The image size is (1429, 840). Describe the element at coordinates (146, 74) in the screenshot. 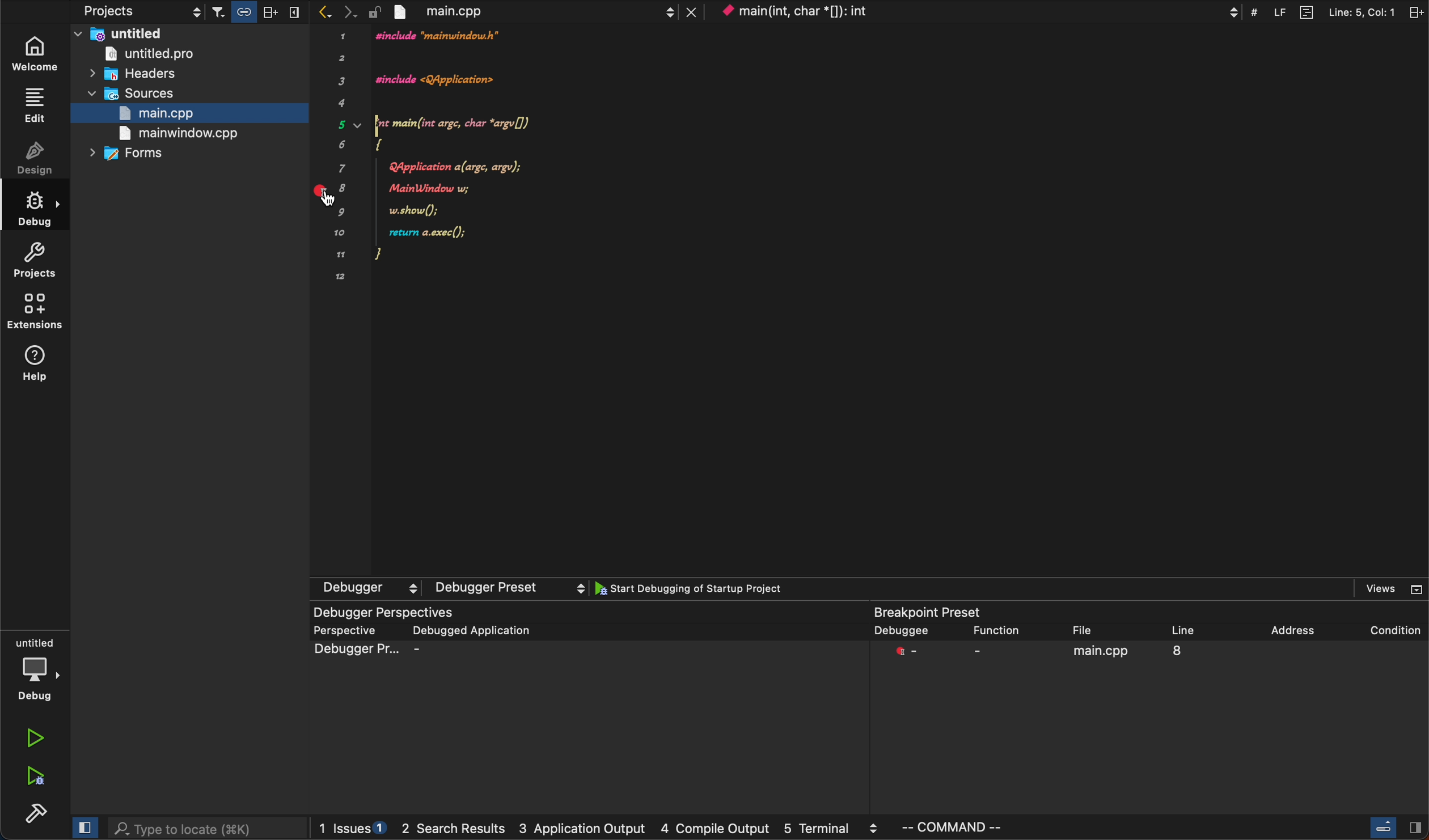

I see `headers` at that location.